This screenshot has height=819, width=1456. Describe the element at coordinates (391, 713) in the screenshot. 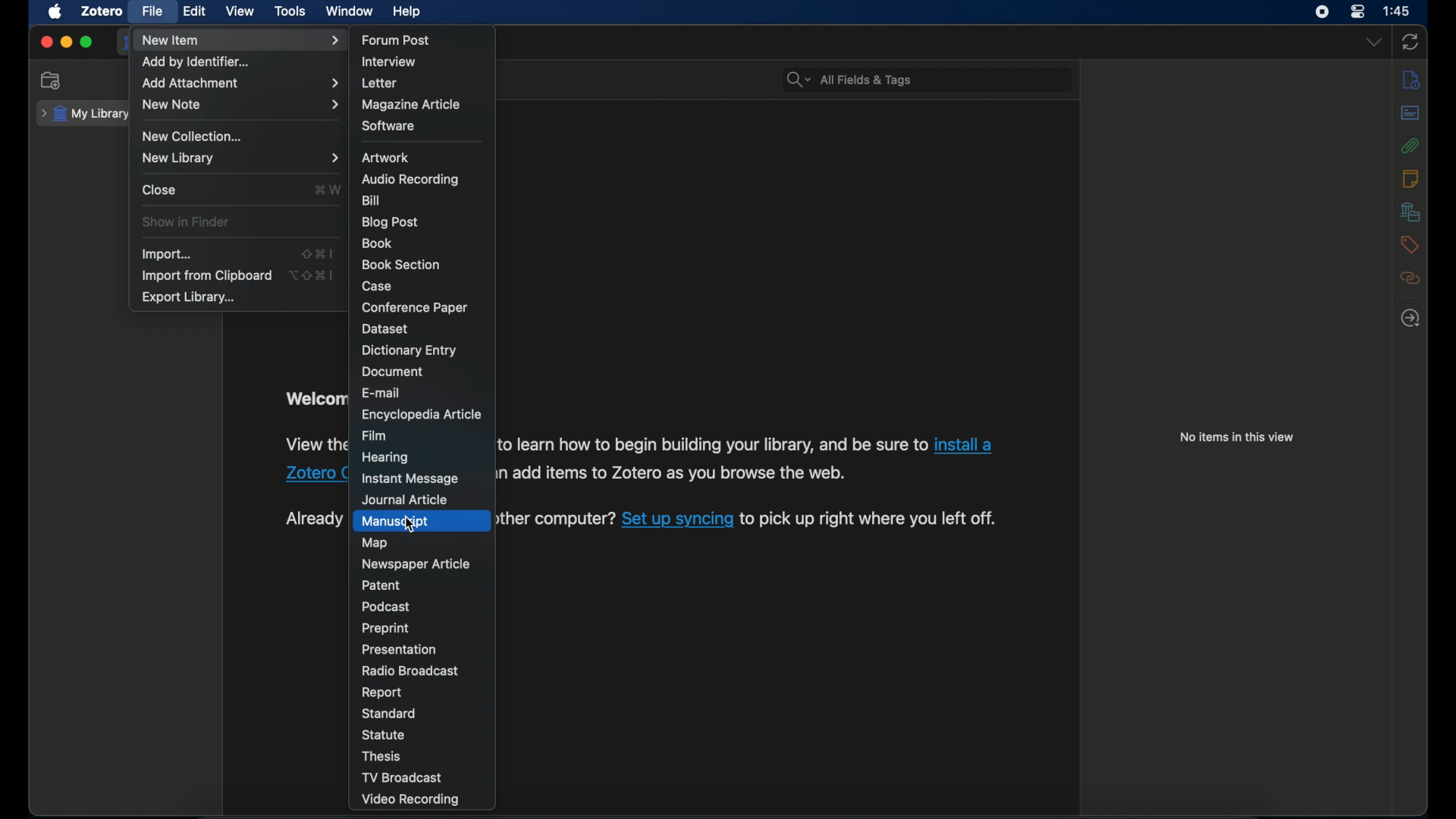

I see `standard` at that location.